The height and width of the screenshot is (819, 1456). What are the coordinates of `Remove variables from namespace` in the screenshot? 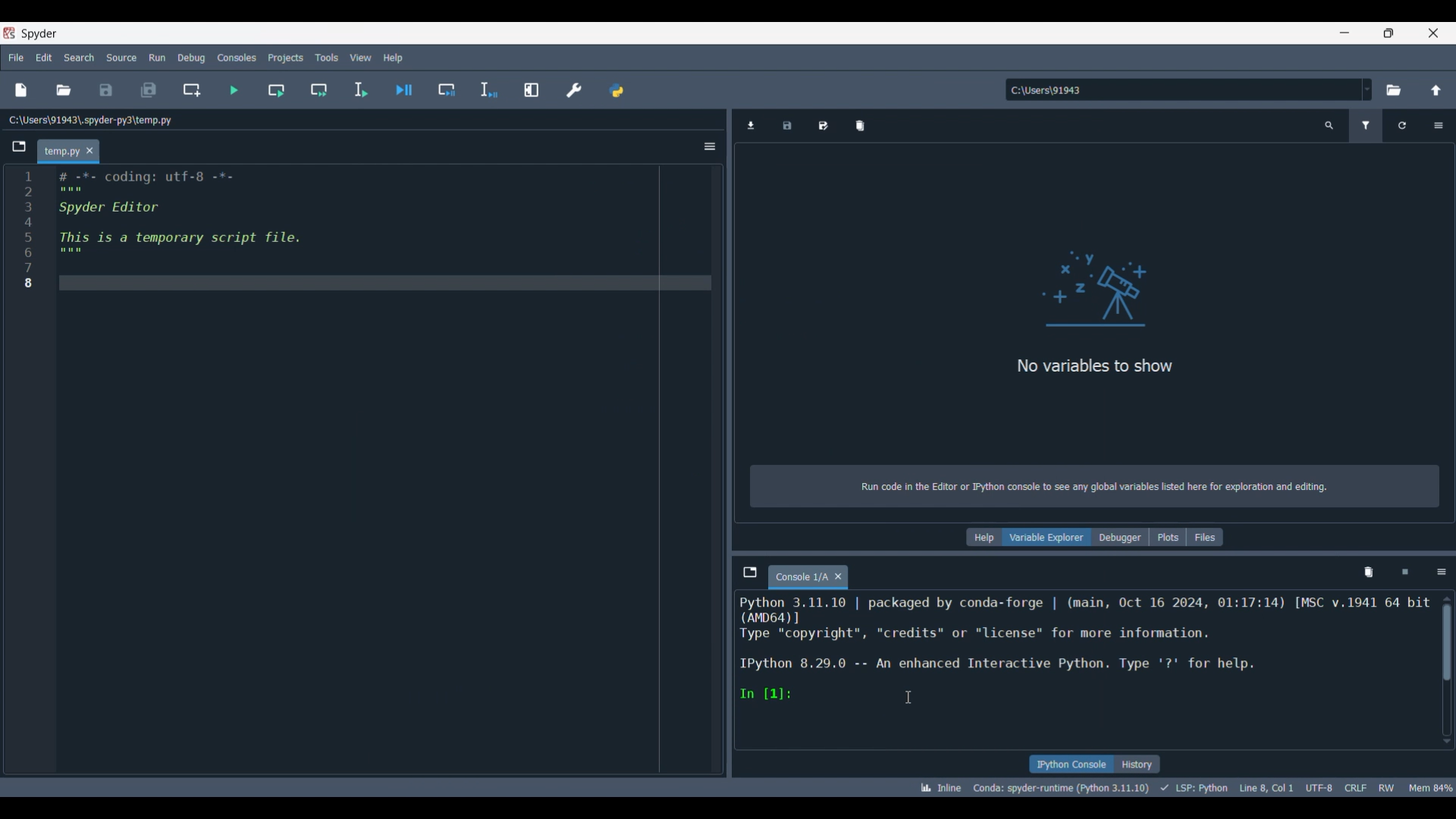 It's located at (1369, 573).